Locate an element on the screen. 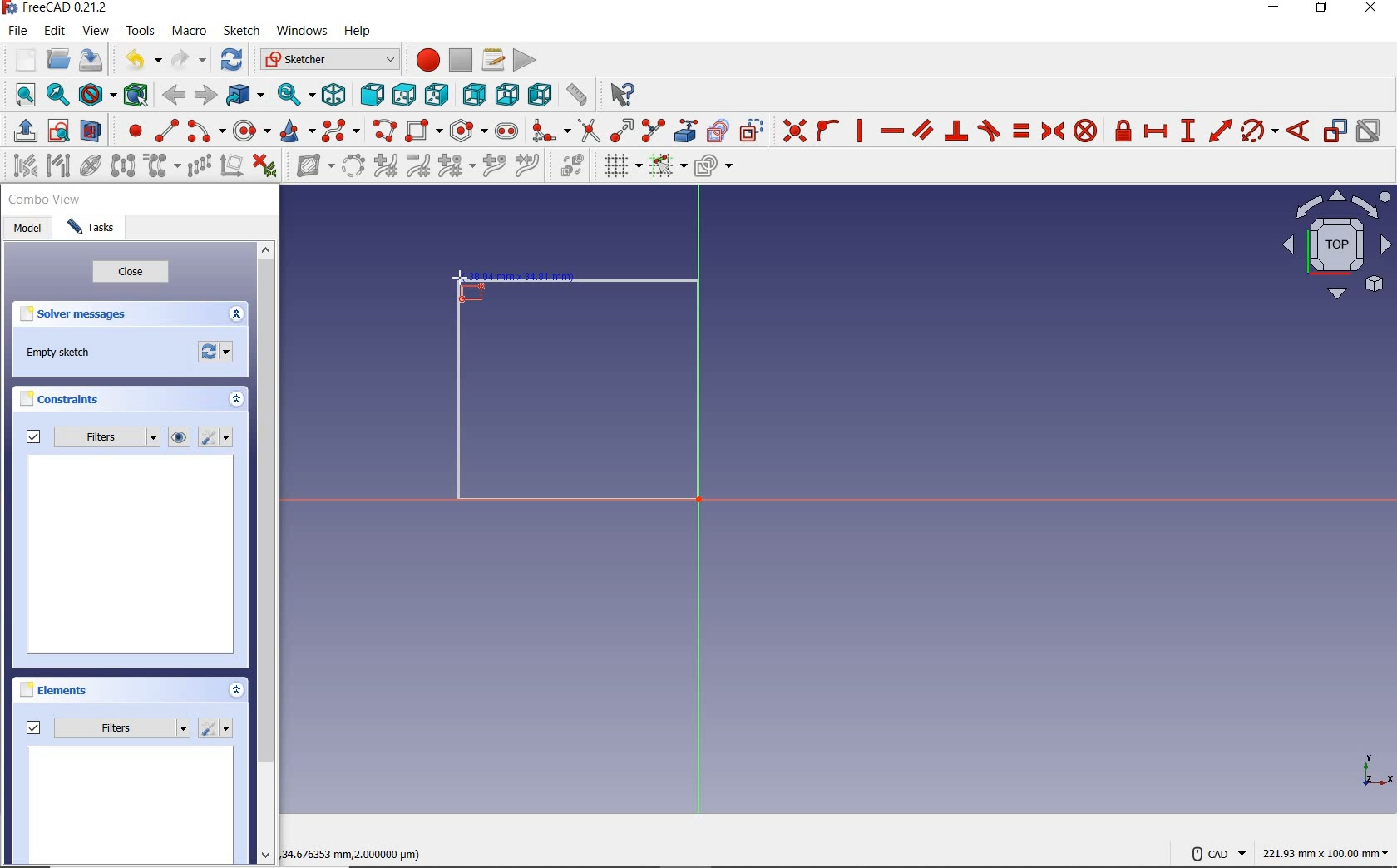 This screenshot has height=868, width=1397. create rectangle is located at coordinates (424, 130).